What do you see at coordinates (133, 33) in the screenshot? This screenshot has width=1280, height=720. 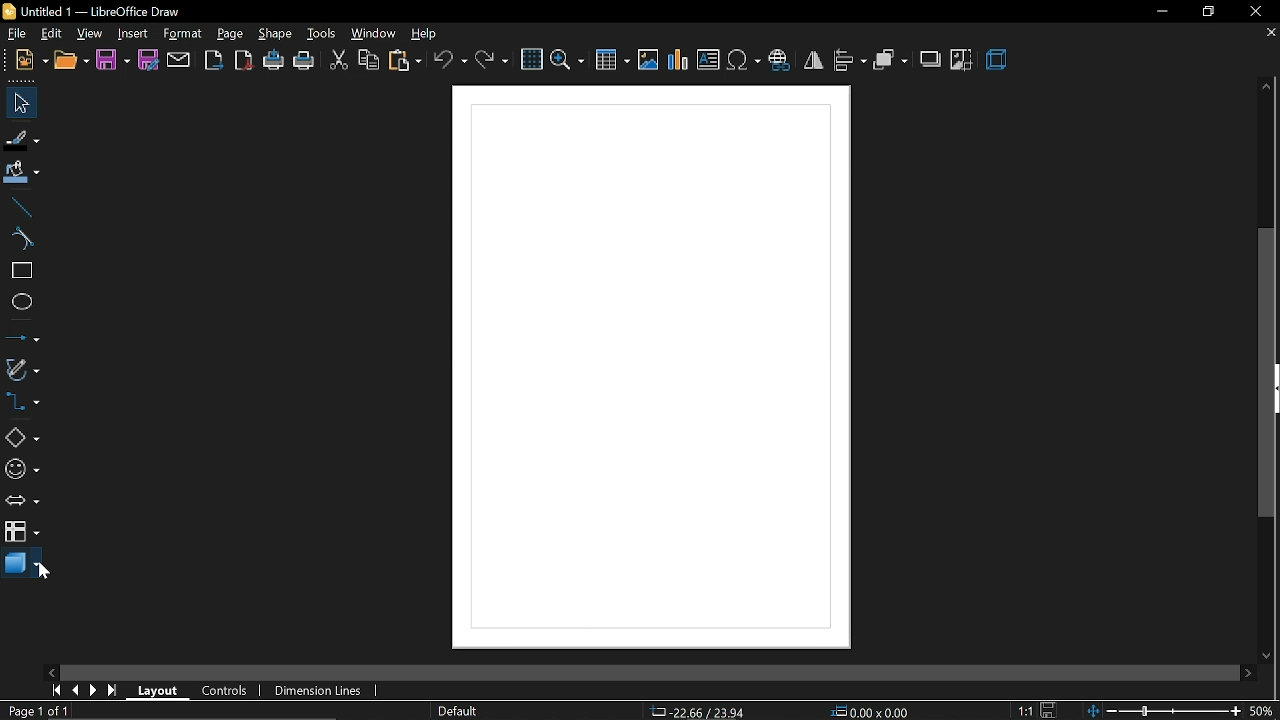 I see `insert` at bounding box center [133, 33].